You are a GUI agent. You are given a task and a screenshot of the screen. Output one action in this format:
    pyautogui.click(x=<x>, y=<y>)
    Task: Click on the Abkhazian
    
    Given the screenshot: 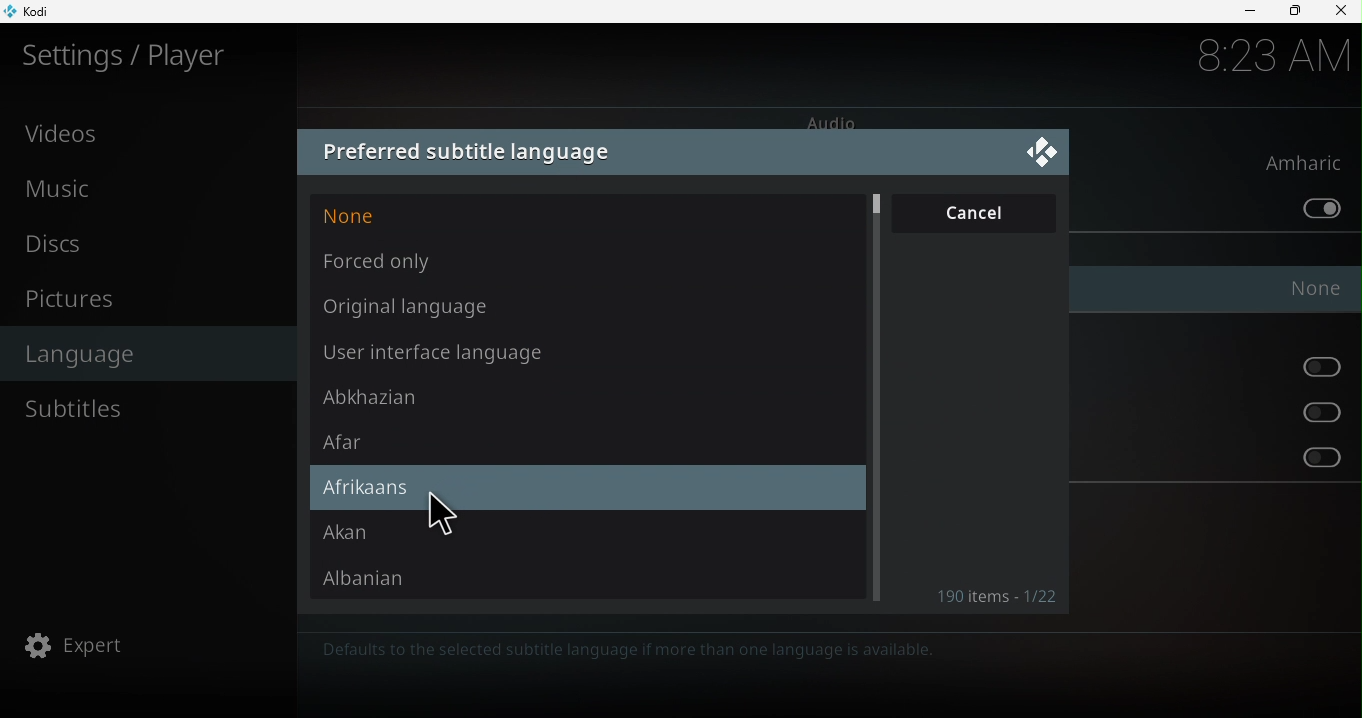 What is the action you would take?
    pyautogui.click(x=578, y=399)
    